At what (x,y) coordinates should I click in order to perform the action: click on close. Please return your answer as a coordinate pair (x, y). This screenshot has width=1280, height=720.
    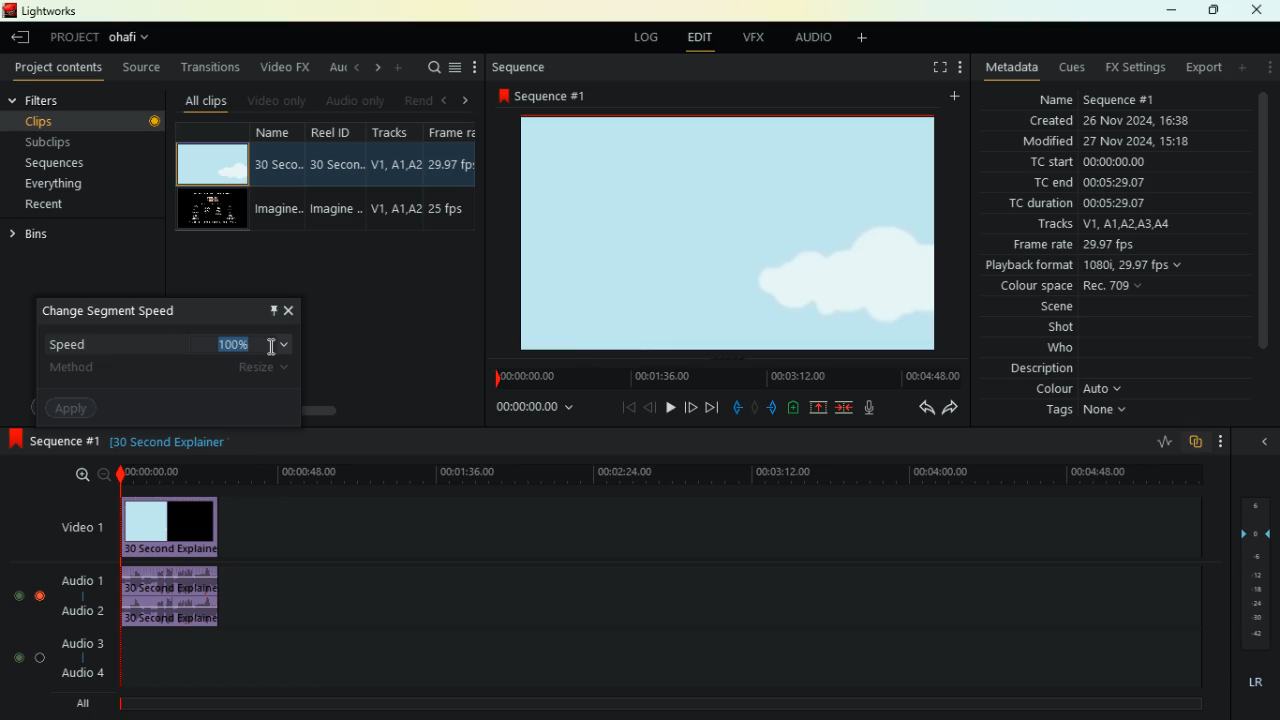
    Looking at the image, I should click on (1261, 9).